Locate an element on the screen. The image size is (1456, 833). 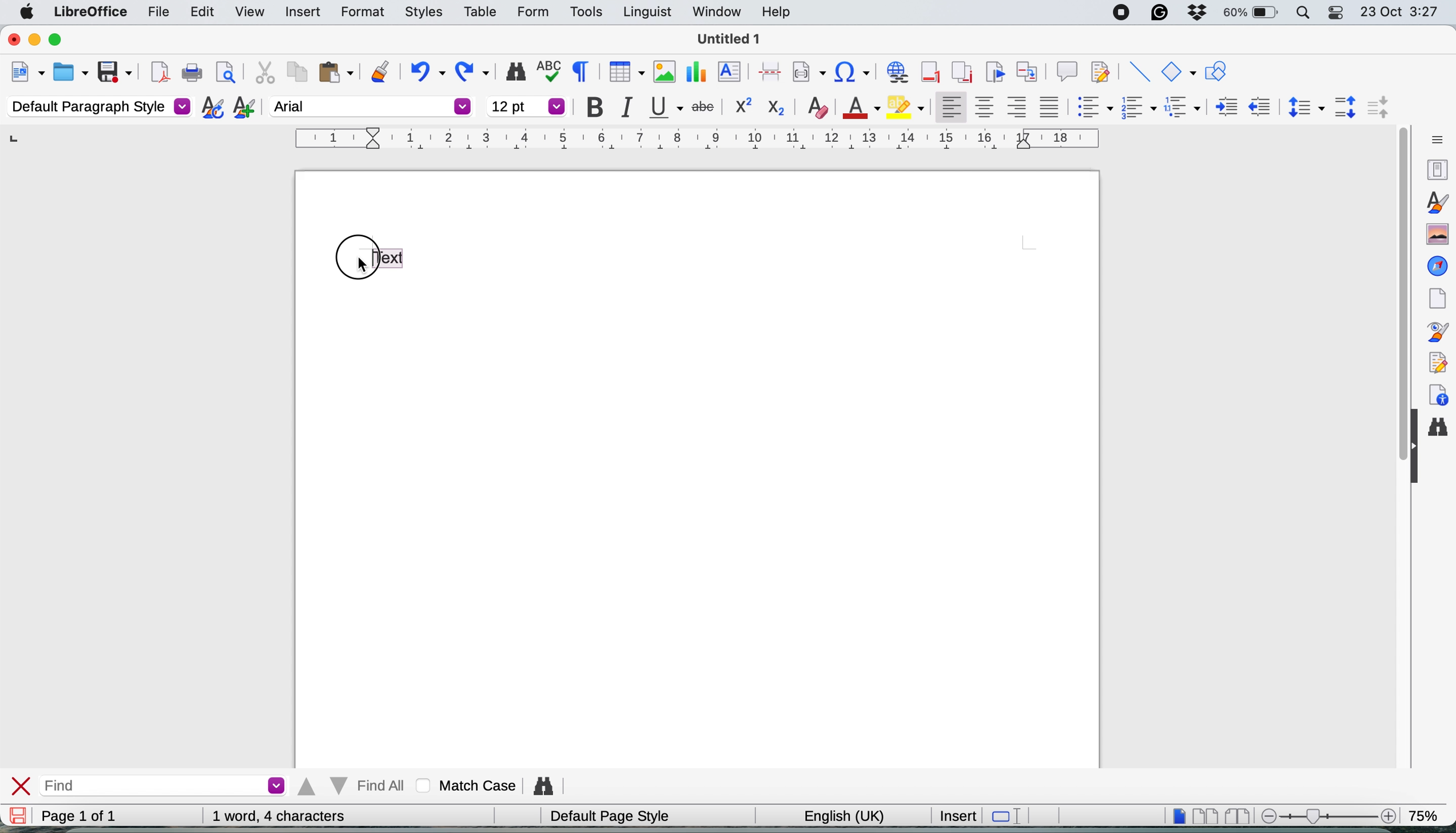
save is located at coordinates (19, 815).